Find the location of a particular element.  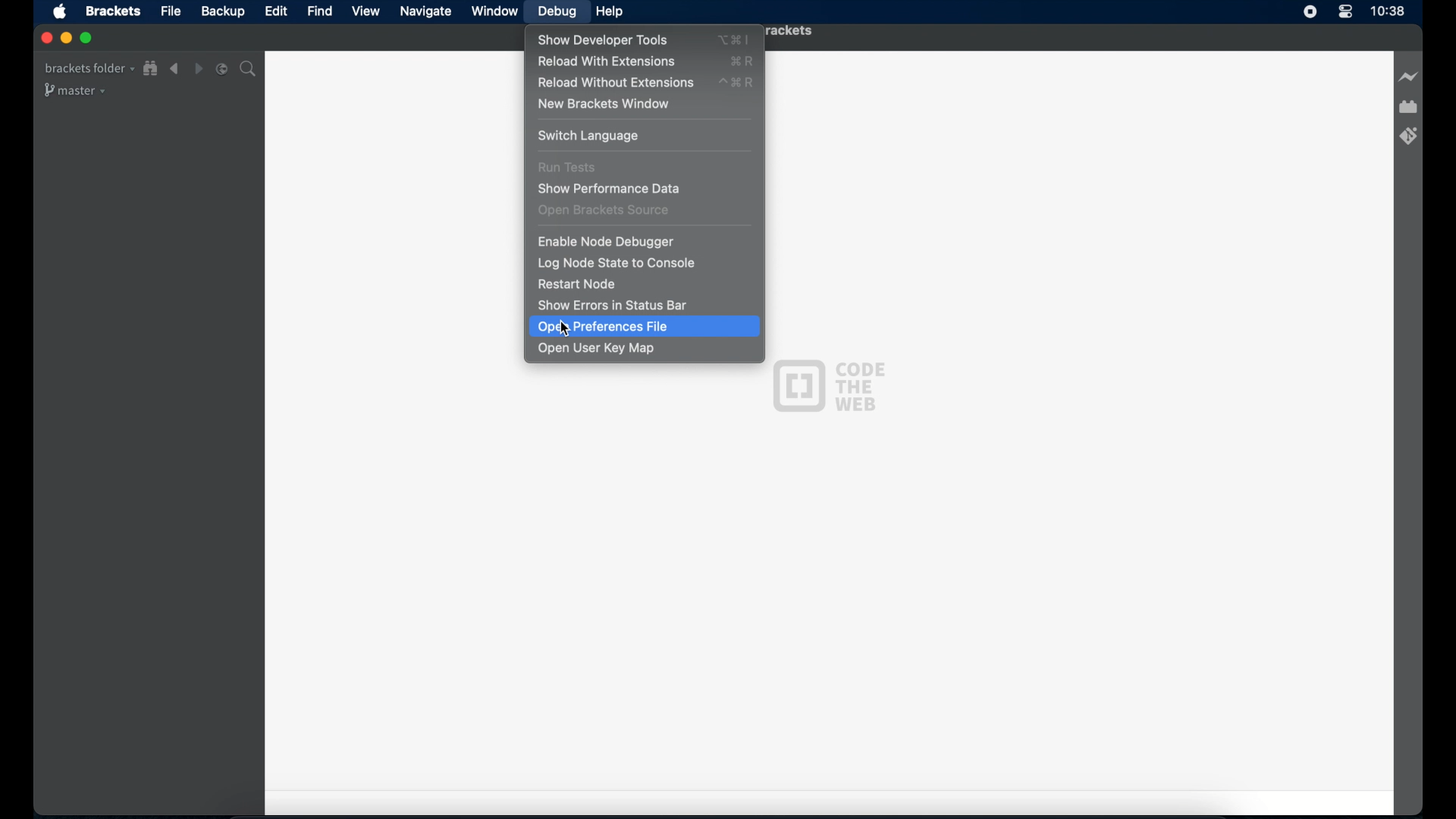

open  preferences file is located at coordinates (644, 327).